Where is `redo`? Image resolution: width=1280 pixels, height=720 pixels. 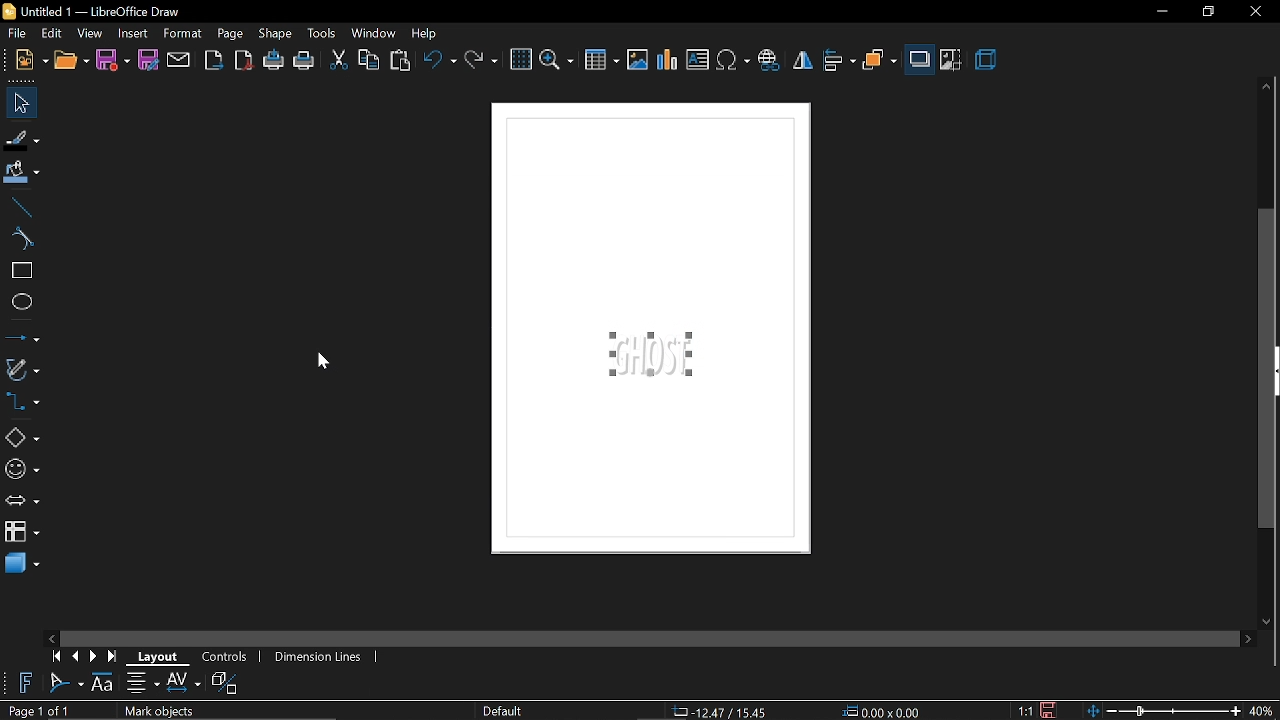
redo is located at coordinates (482, 62).